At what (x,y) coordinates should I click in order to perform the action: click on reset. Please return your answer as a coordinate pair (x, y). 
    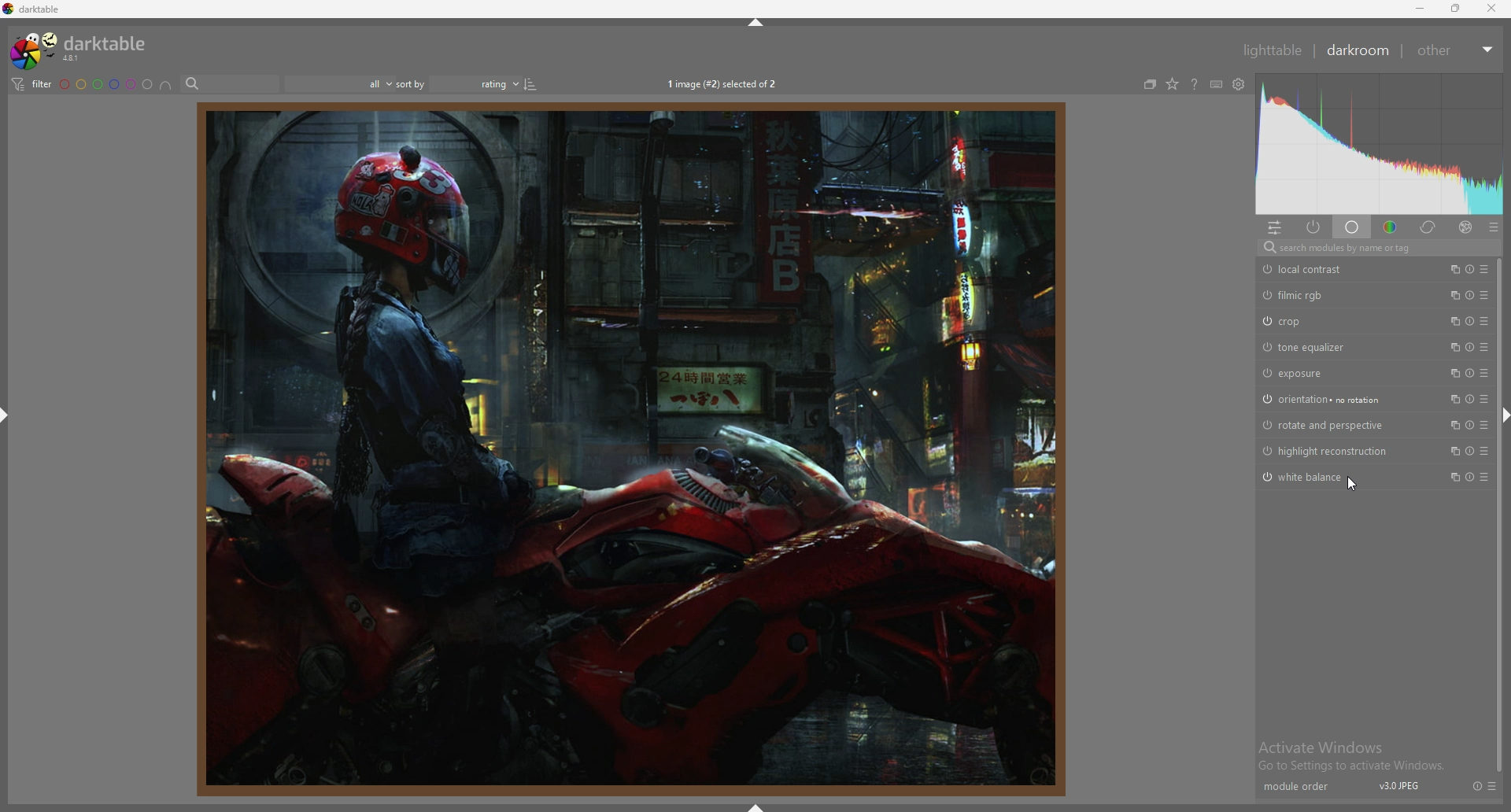
    Looking at the image, I should click on (1477, 785).